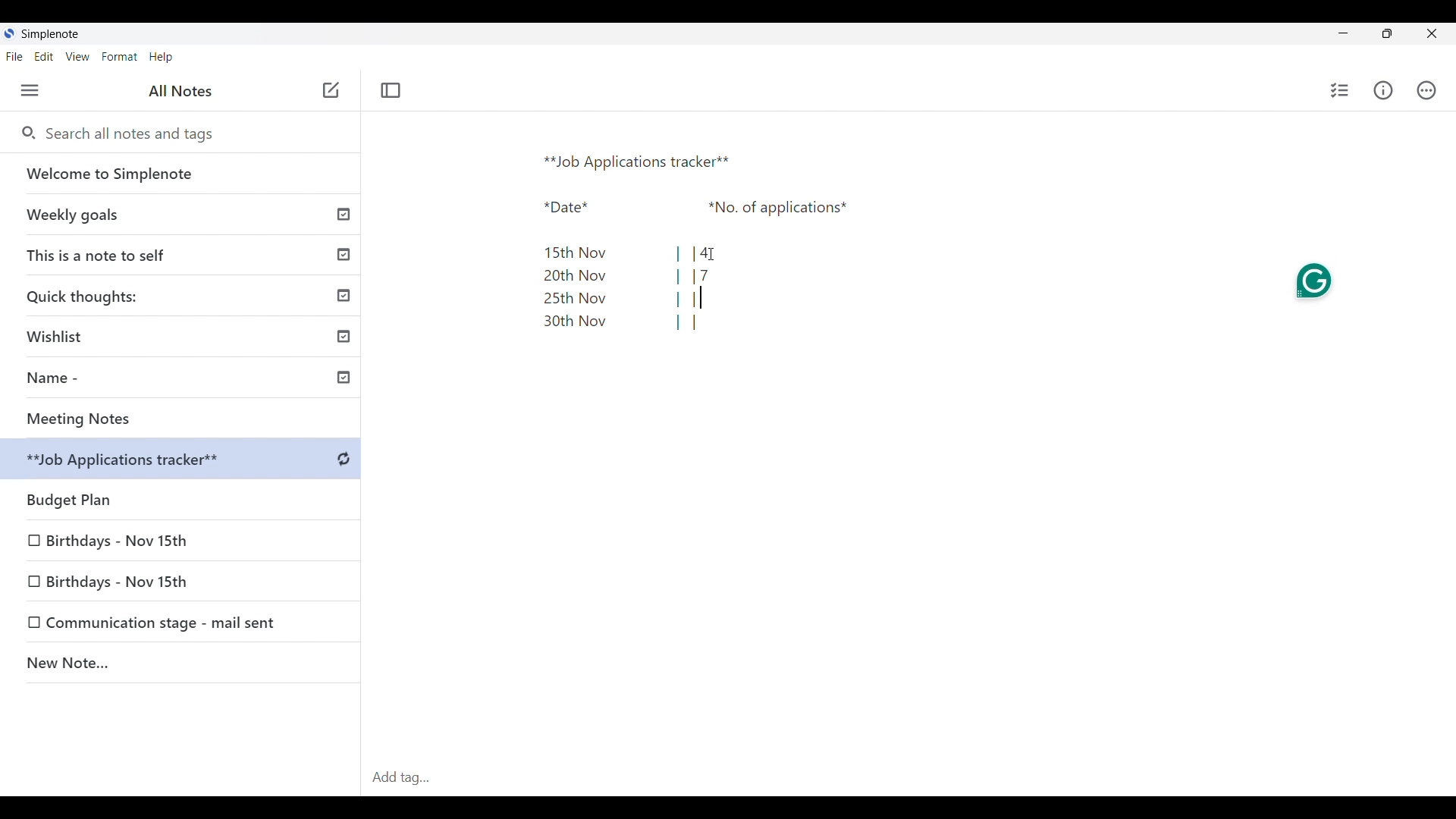 The width and height of the screenshot is (1456, 819). What do you see at coordinates (8, 33) in the screenshot?
I see `Software logo` at bounding box center [8, 33].